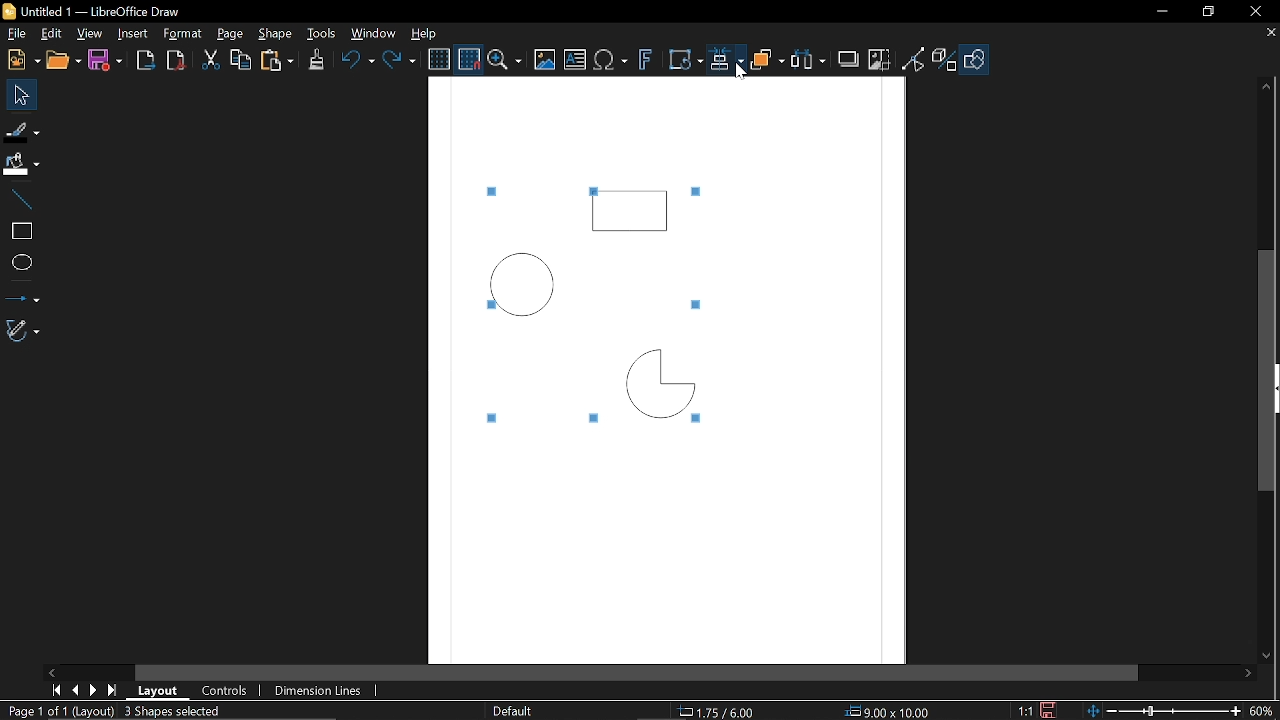 This screenshot has height=720, width=1280. Describe the element at coordinates (738, 73) in the screenshot. I see `Cursor` at that location.